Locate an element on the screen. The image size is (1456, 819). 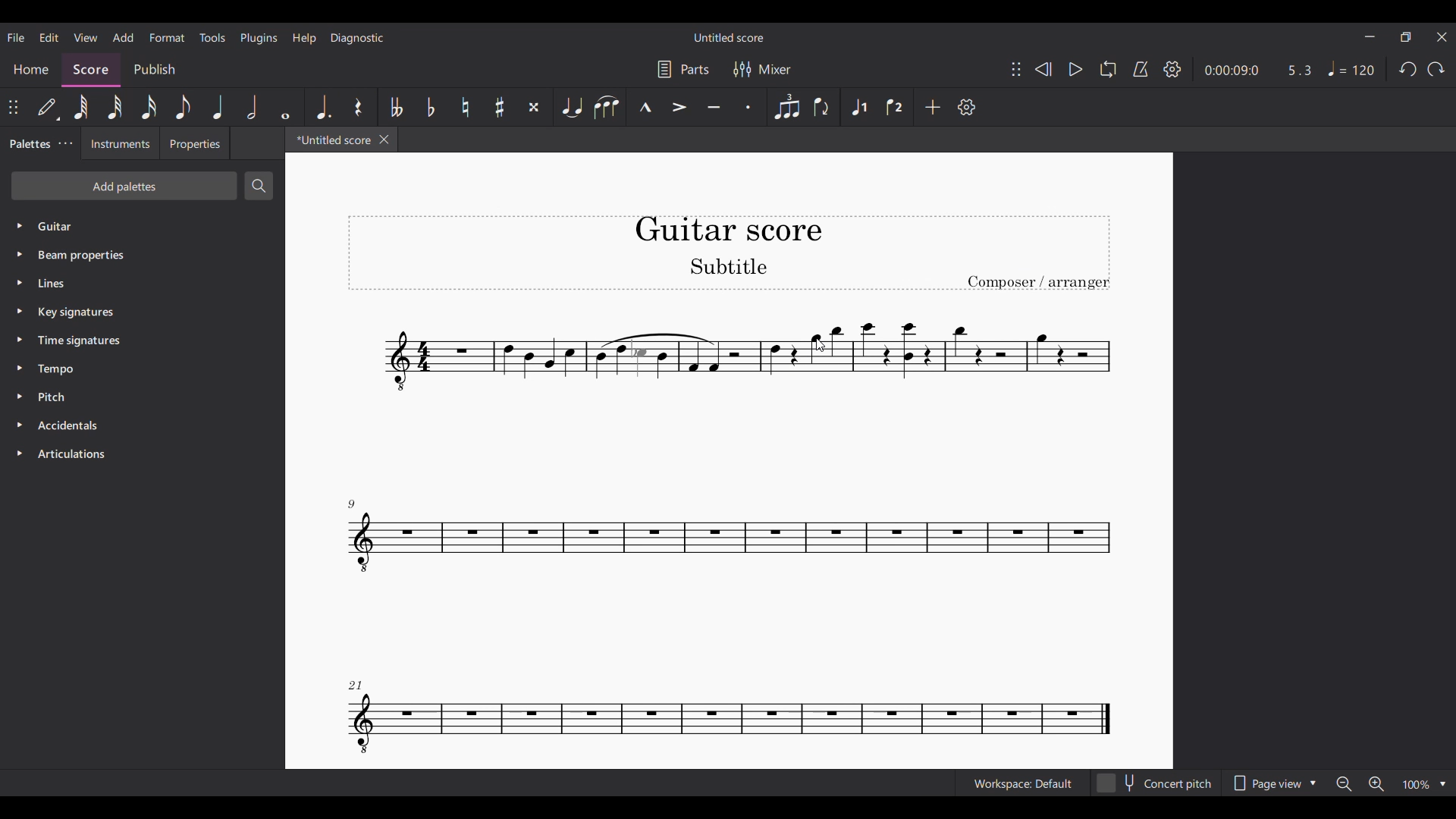
Play is located at coordinates (1076, 70).